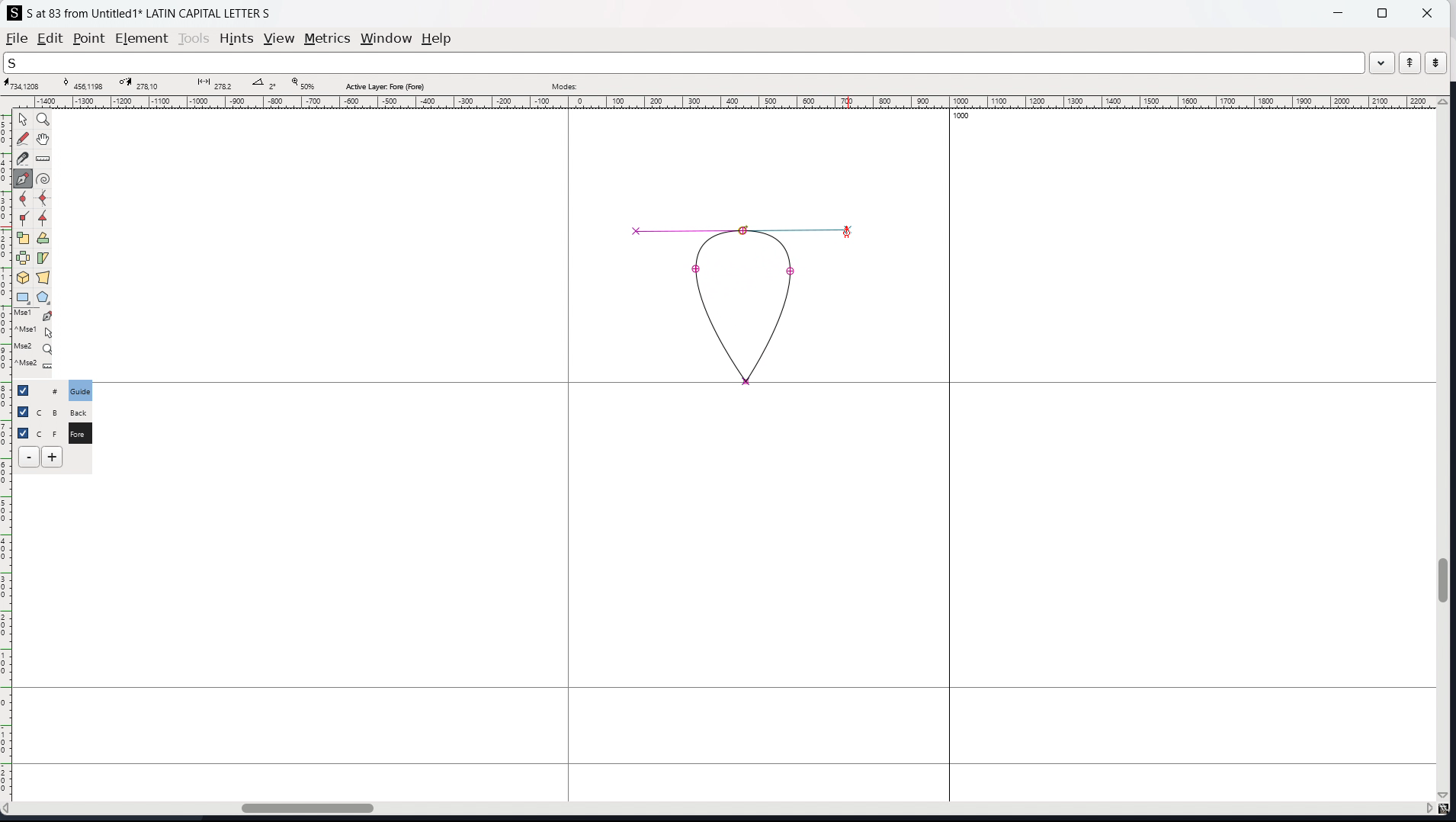 This screenshot has height=822, width=1456. Describe the element at coordinates (27, 390) in the screenshot. I see `checkbox` at that location.